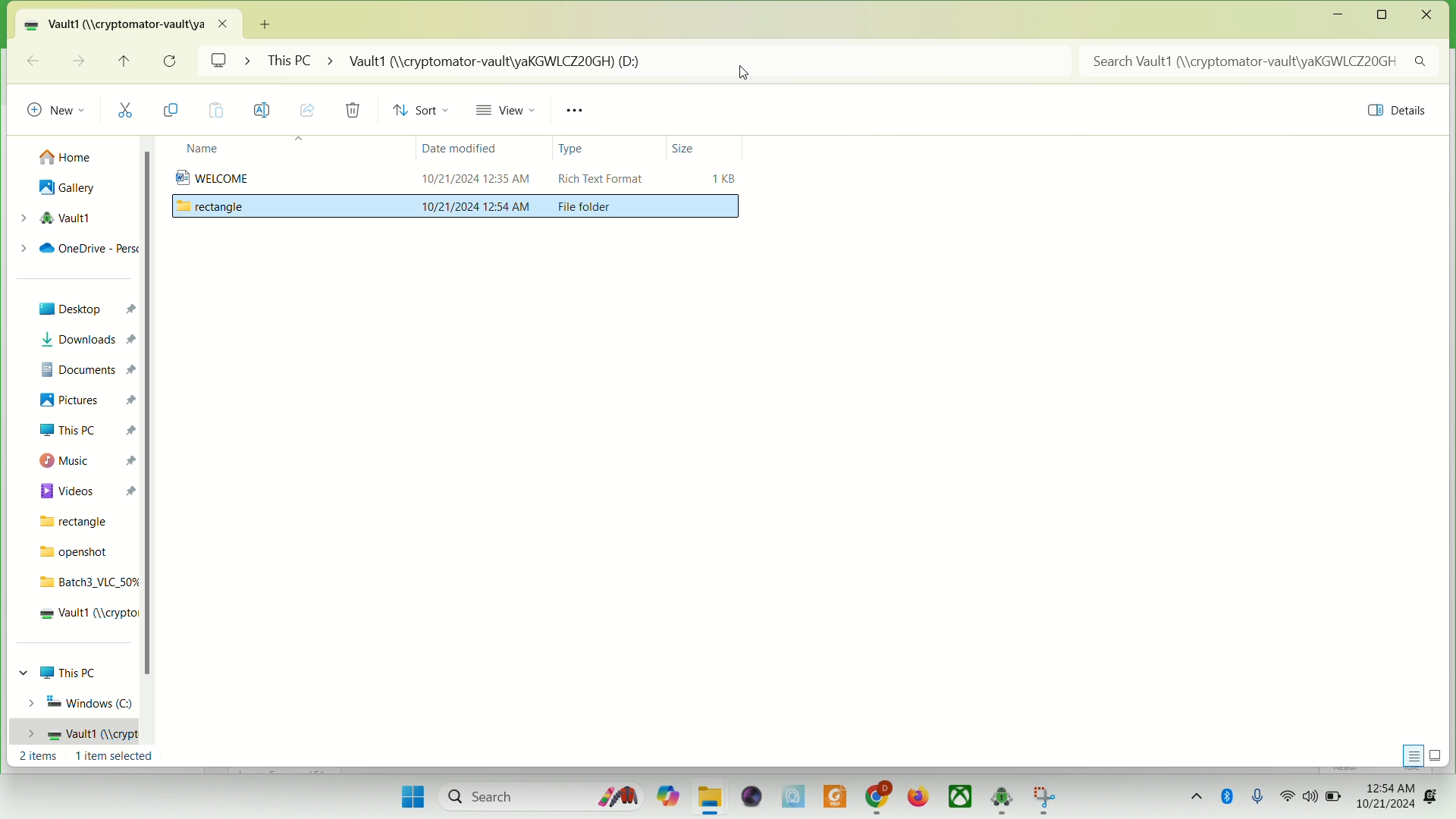  I want to click on pictures, so click(89, 401).